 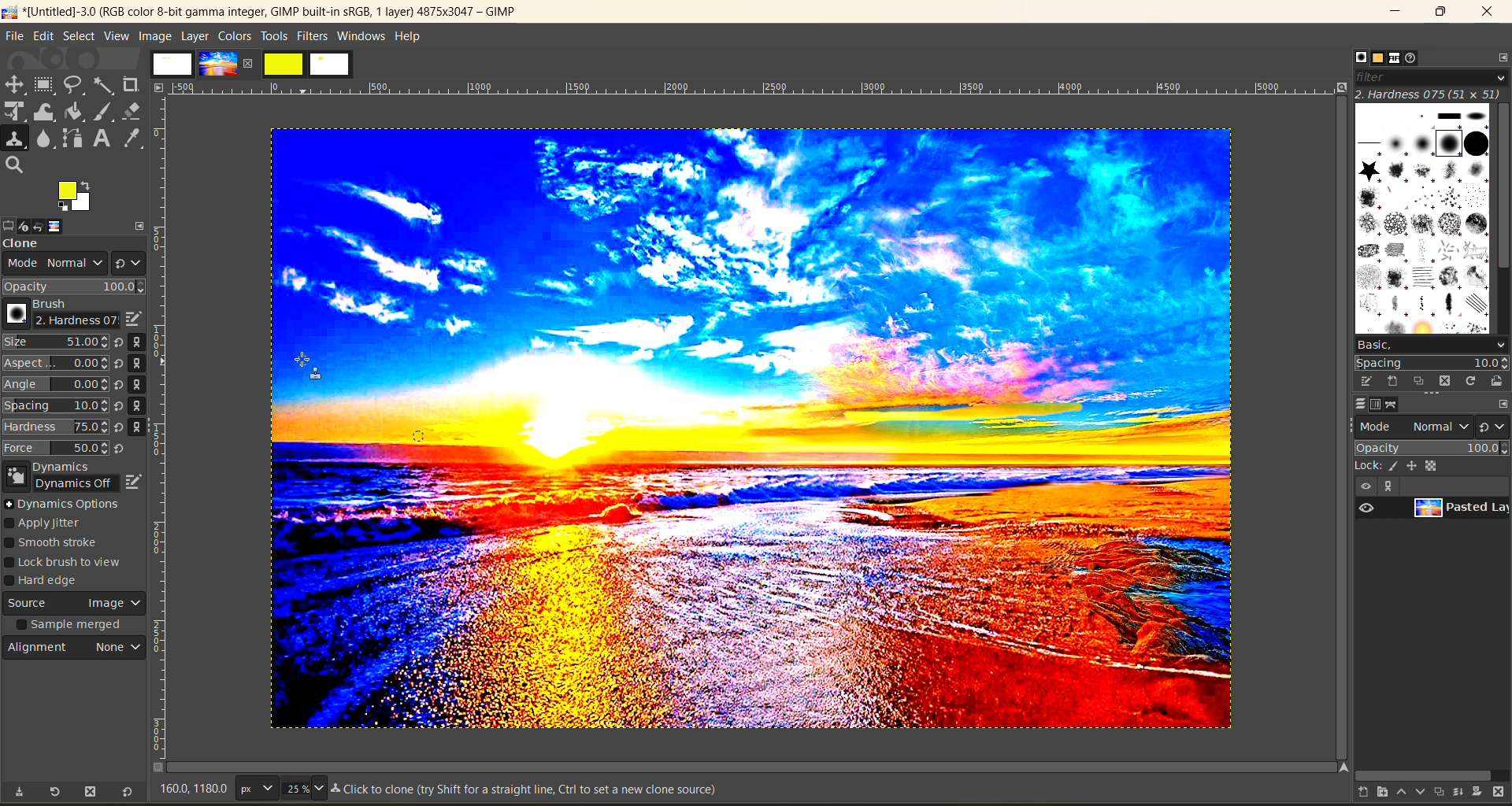 I want to click on minimize, so click(x=1399, y=12).